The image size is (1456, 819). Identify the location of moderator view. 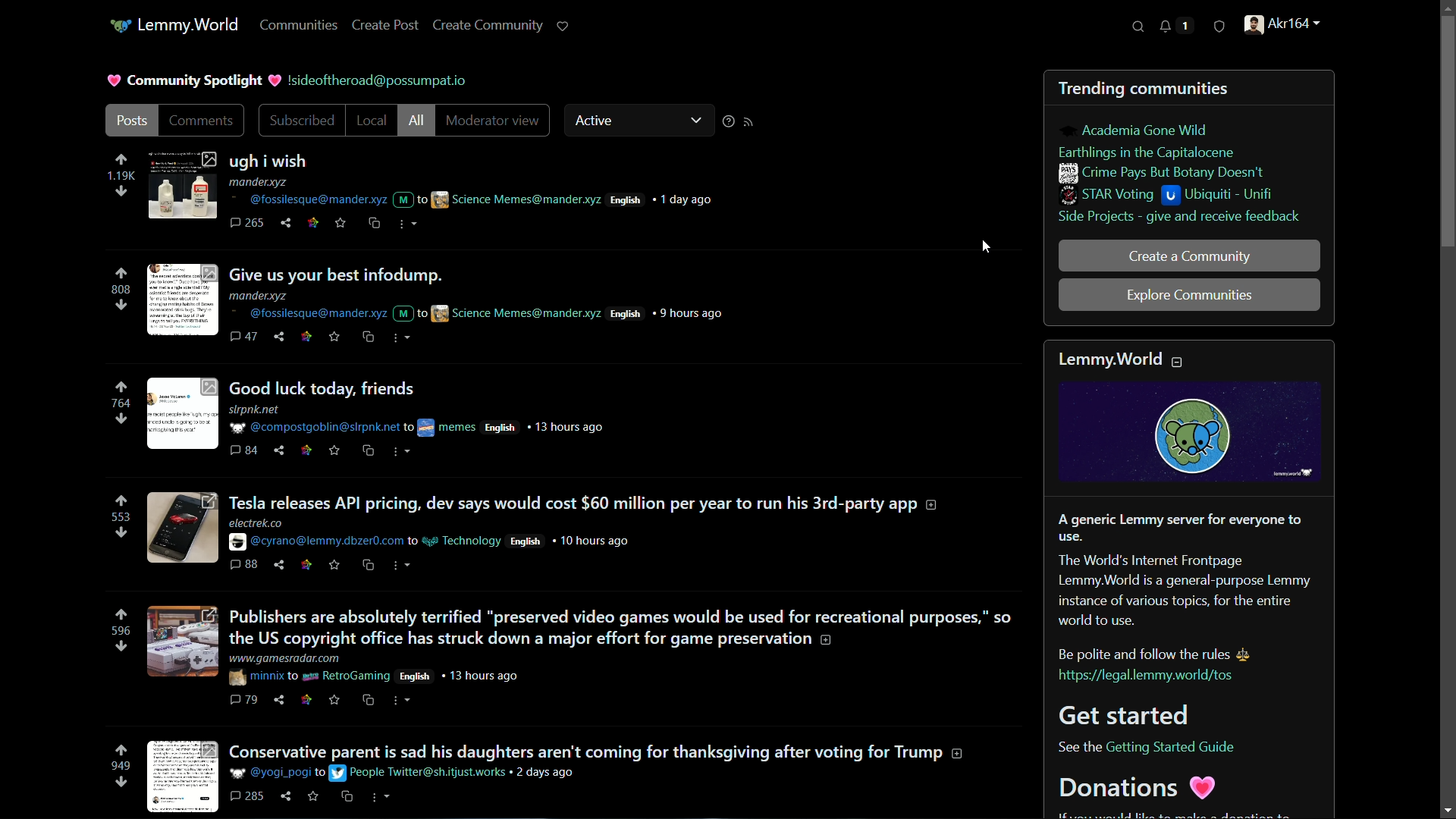
(490, 121).